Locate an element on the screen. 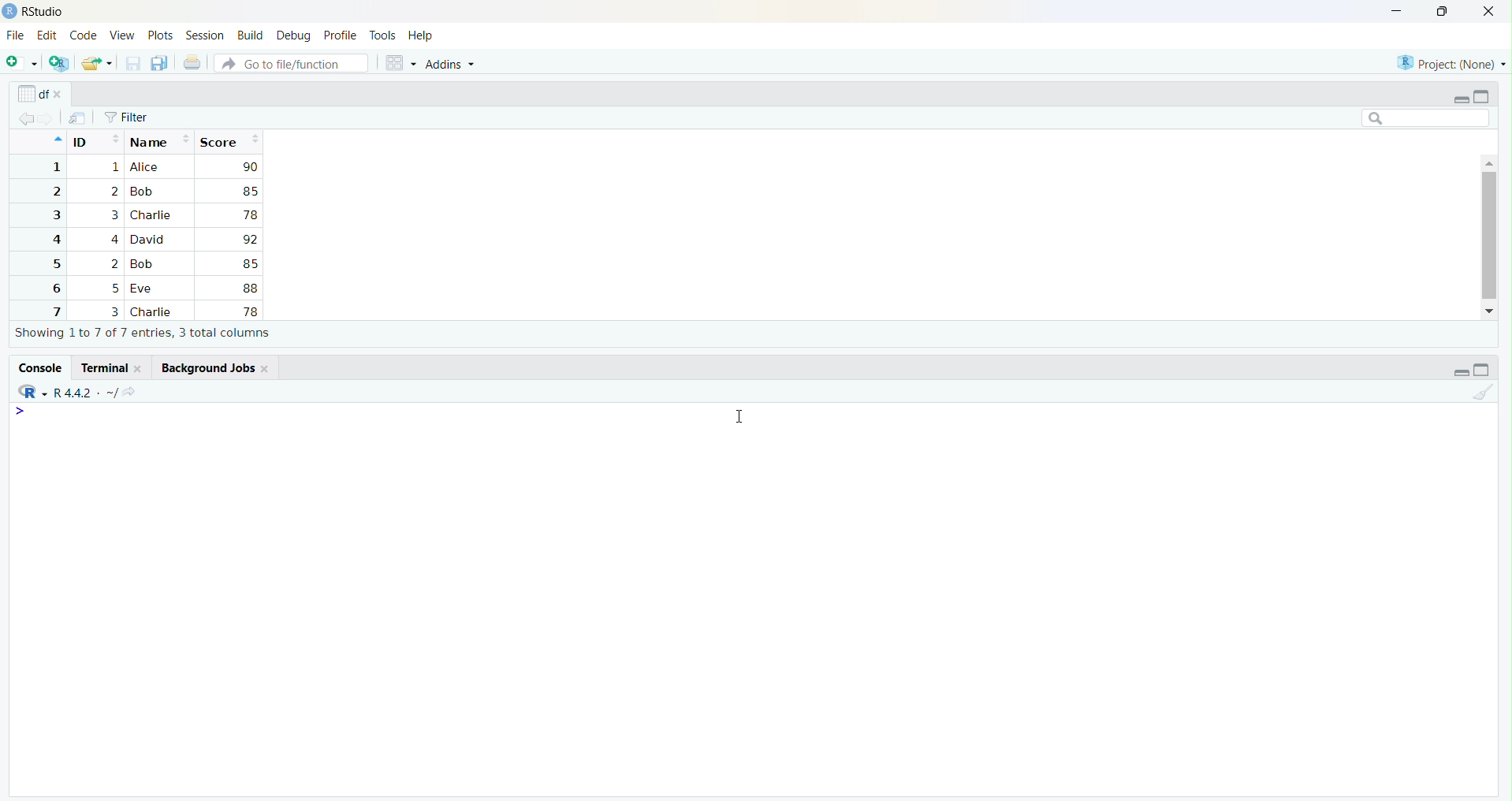 The width and height of the screenshot is (1512, 801). save all is located at coordinates (161, 64).